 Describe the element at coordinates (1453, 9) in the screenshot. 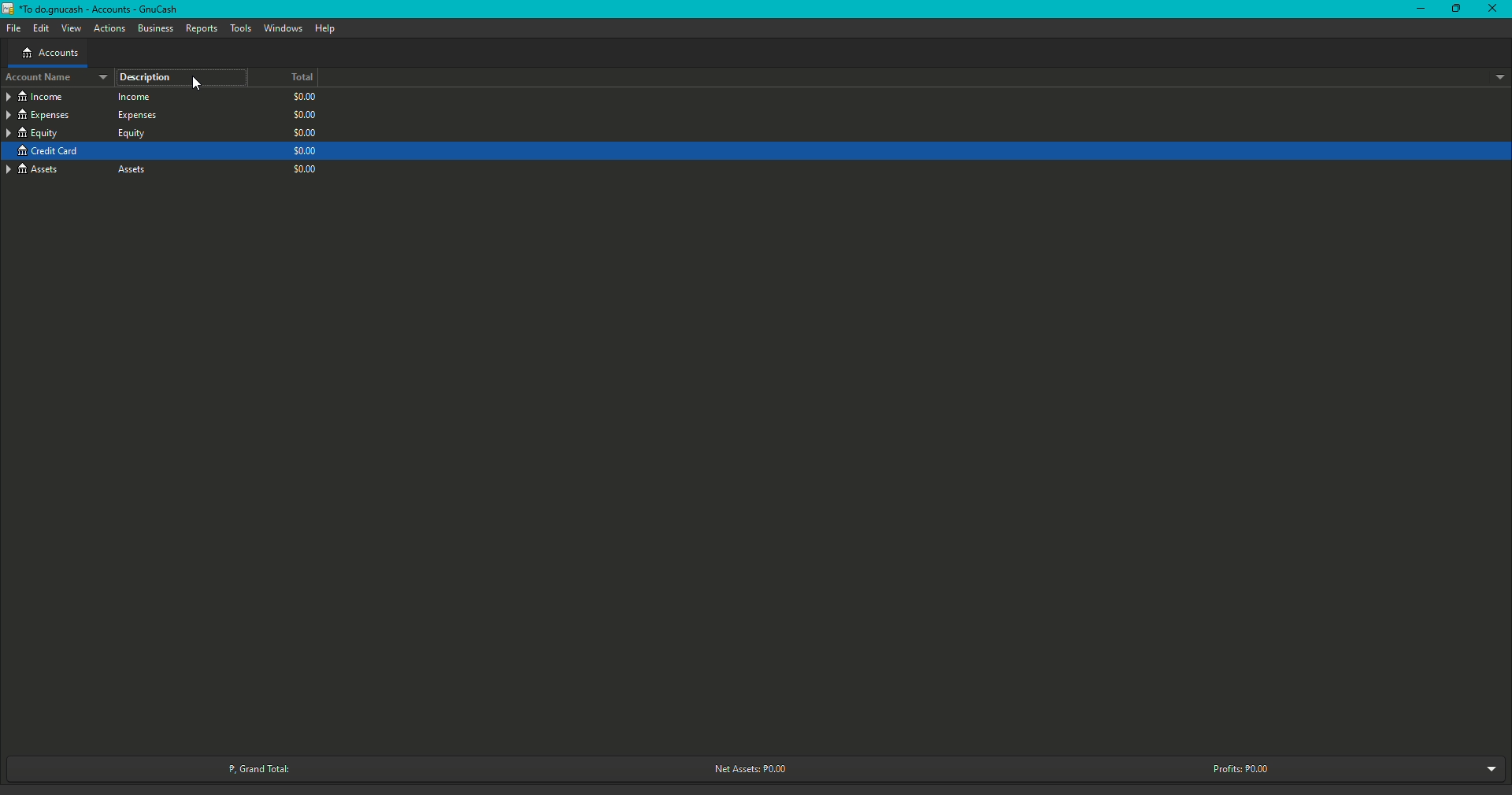

I see `Restore` at that location.